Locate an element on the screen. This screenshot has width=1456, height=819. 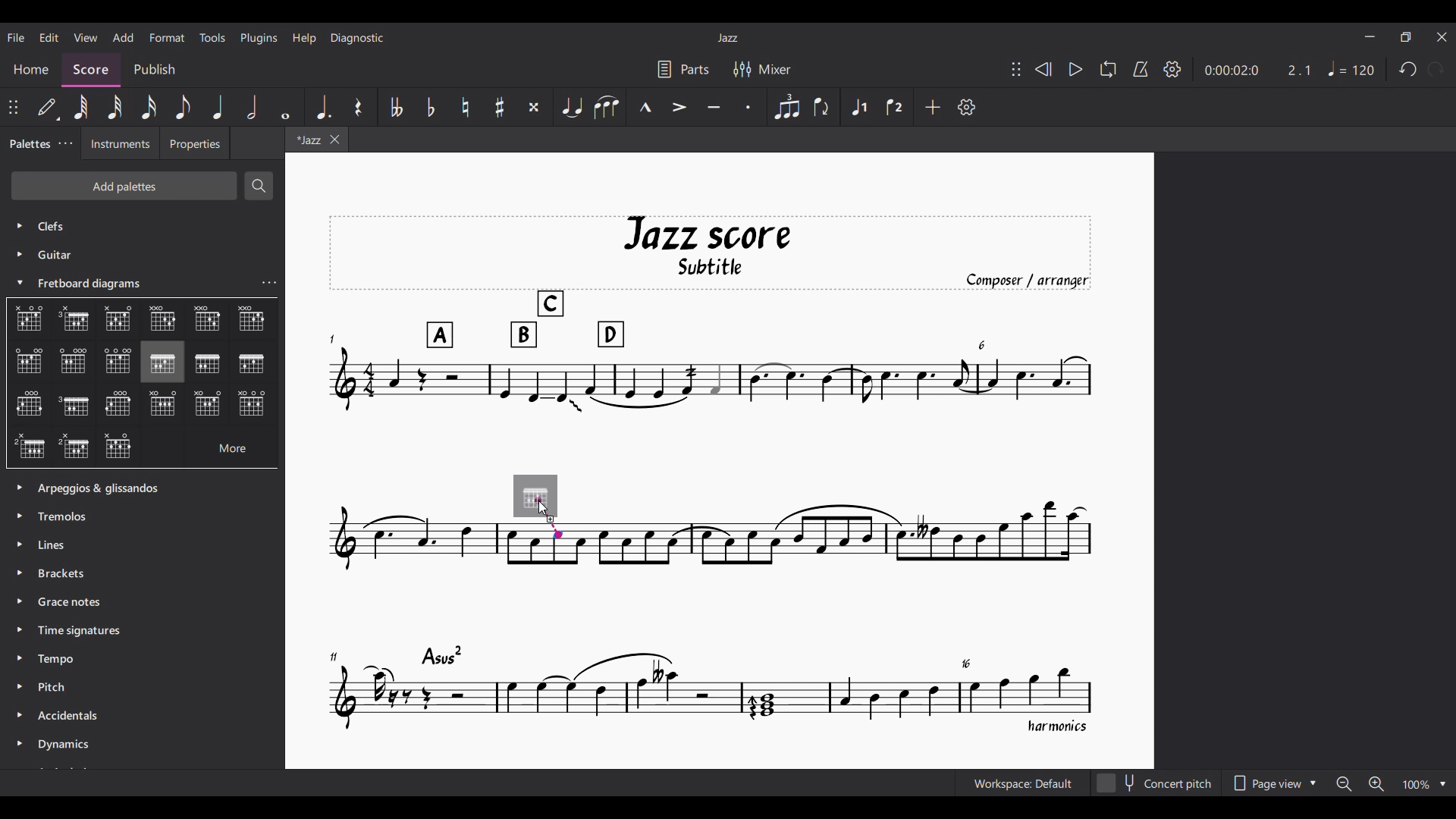
Chart 13 is located at coordinates (74, 405).